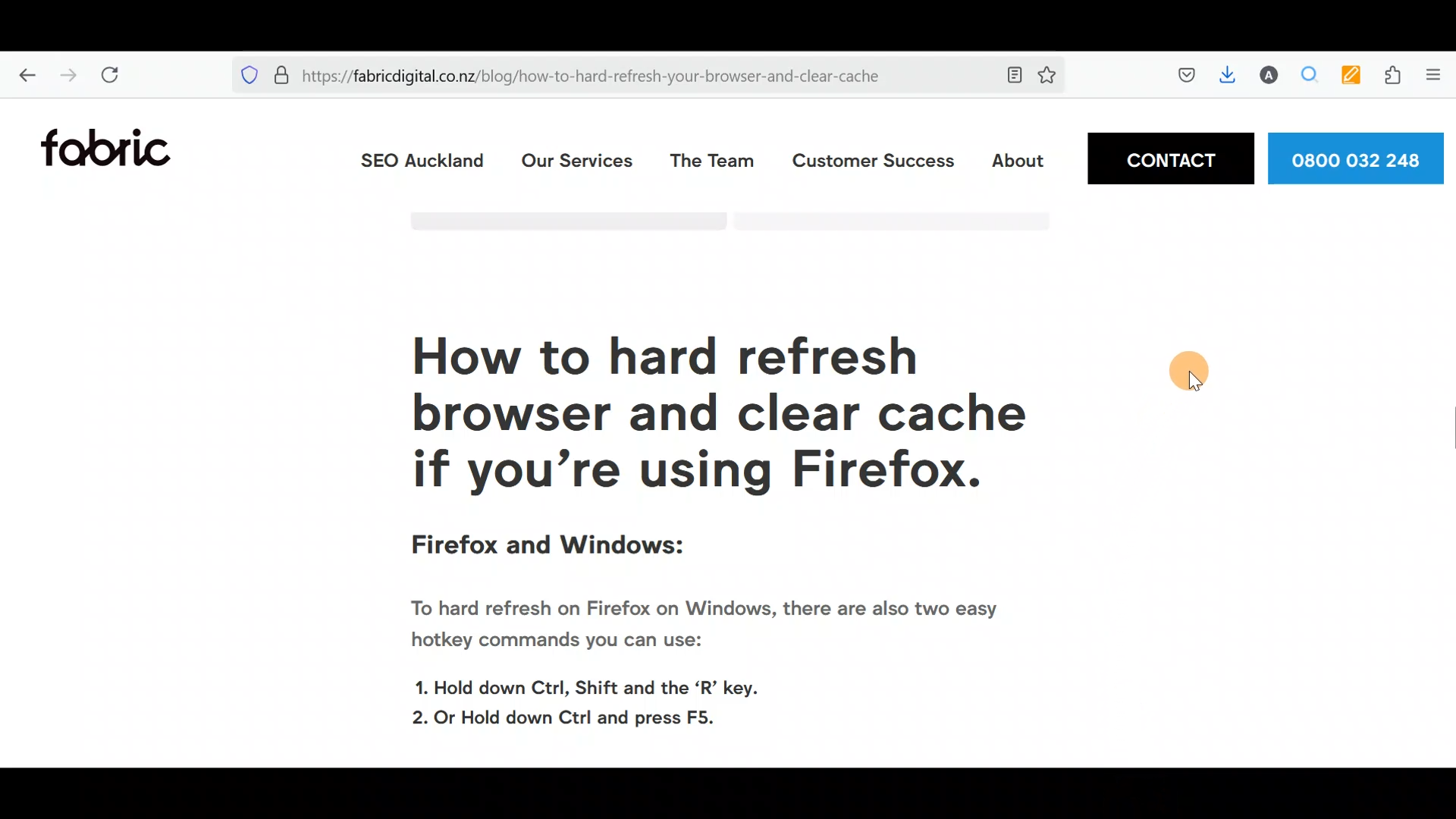  What do you see at coordinates (574, 161) in the screenshot?
I see `Our services` at bounding box center [574, 161].